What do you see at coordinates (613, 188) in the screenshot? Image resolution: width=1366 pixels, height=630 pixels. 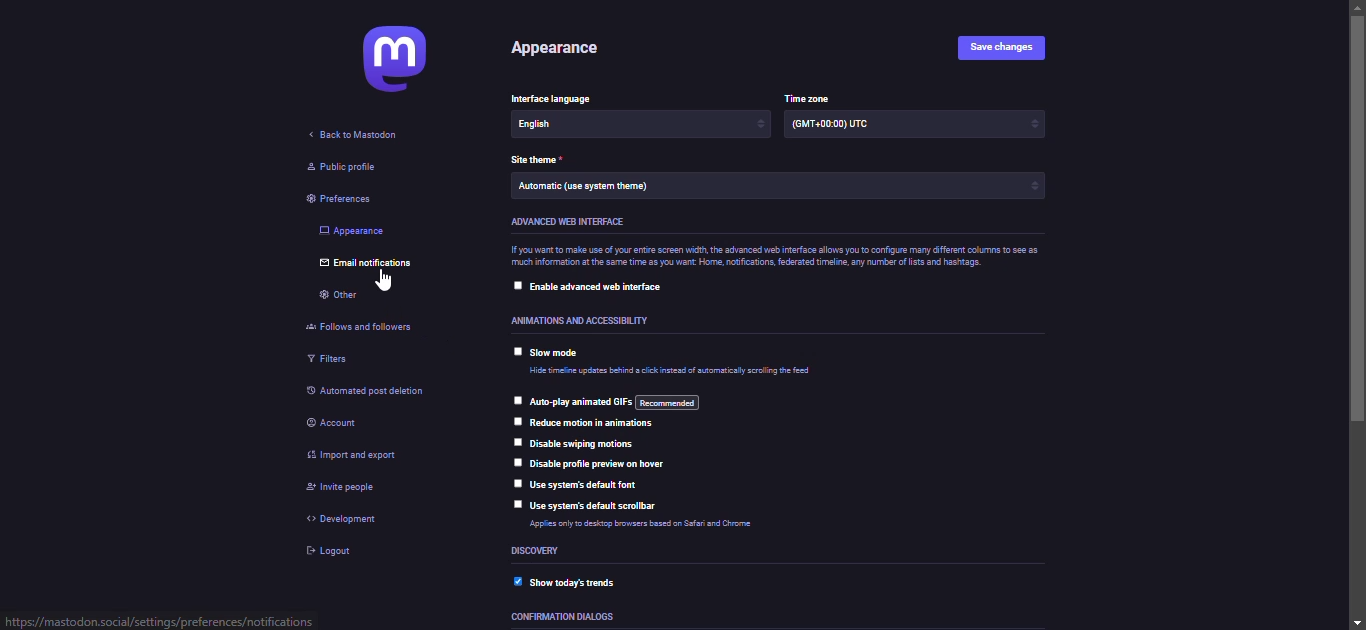 I see `theme` at bounding box center [613, 188].